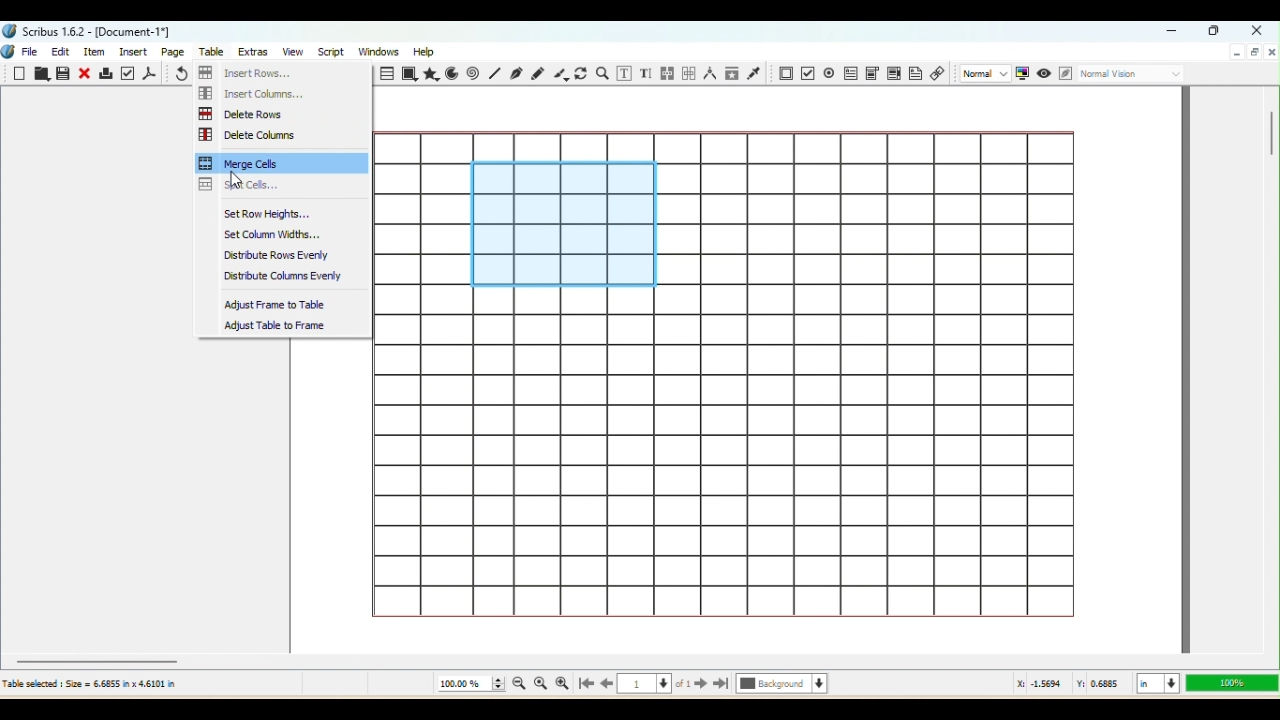  What do you see at coordinates (626, 74) in the screenshot?
I see `Edit contents of Frame` at bounding box center [626, 74].